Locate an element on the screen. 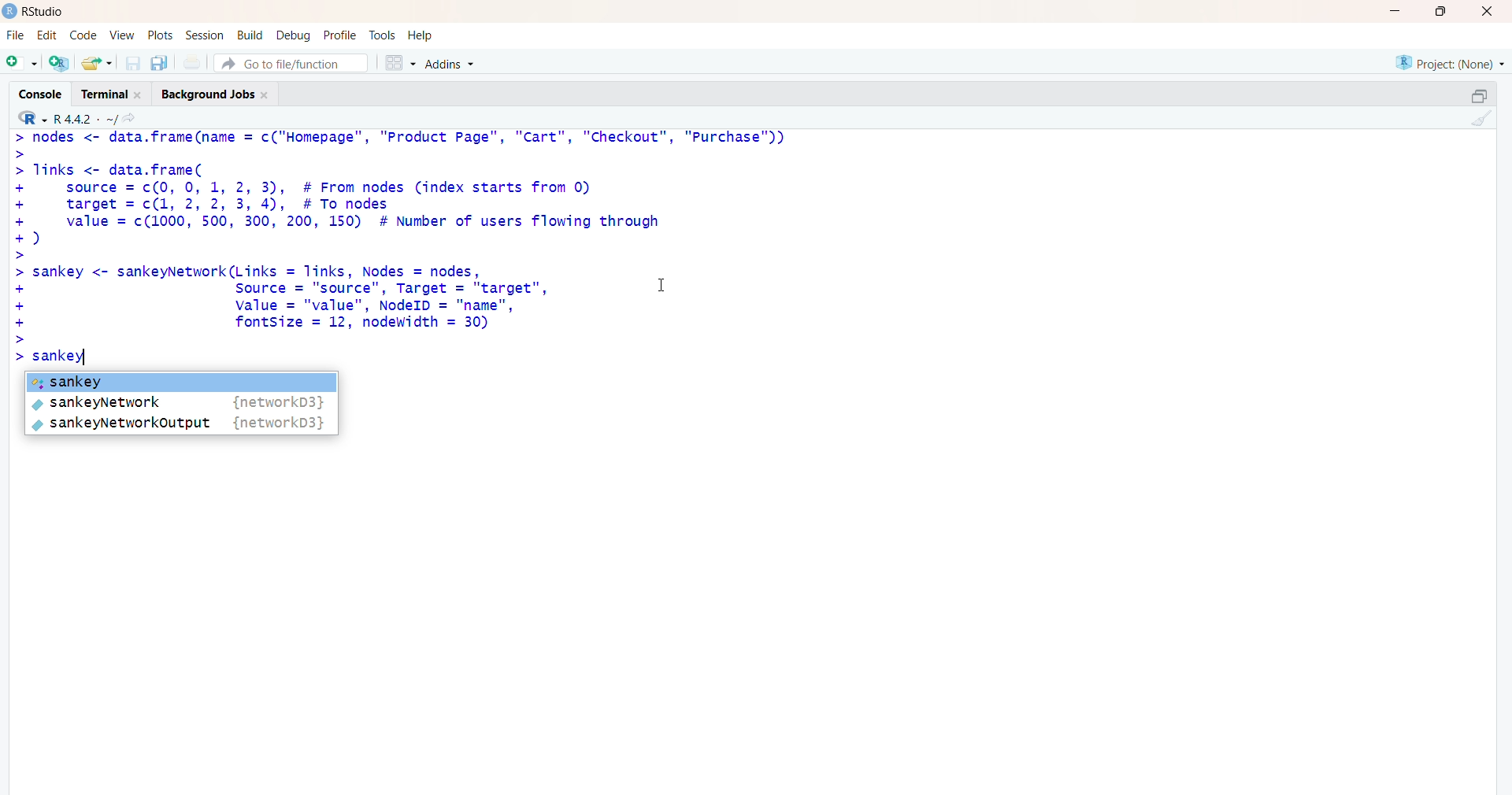  project (none) is located at coordinates (1440, 62).